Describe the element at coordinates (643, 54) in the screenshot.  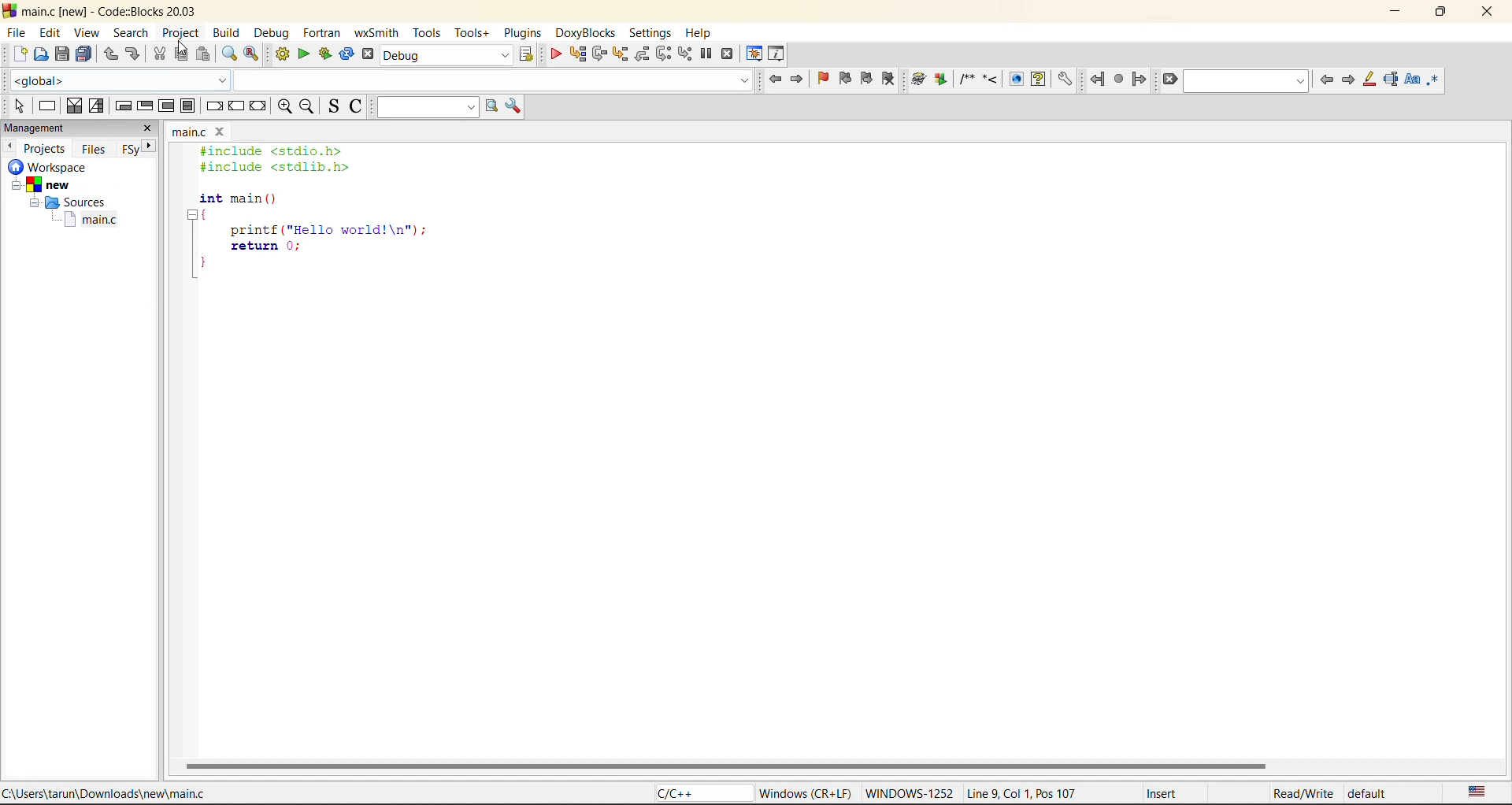
I see `step out` at that location.